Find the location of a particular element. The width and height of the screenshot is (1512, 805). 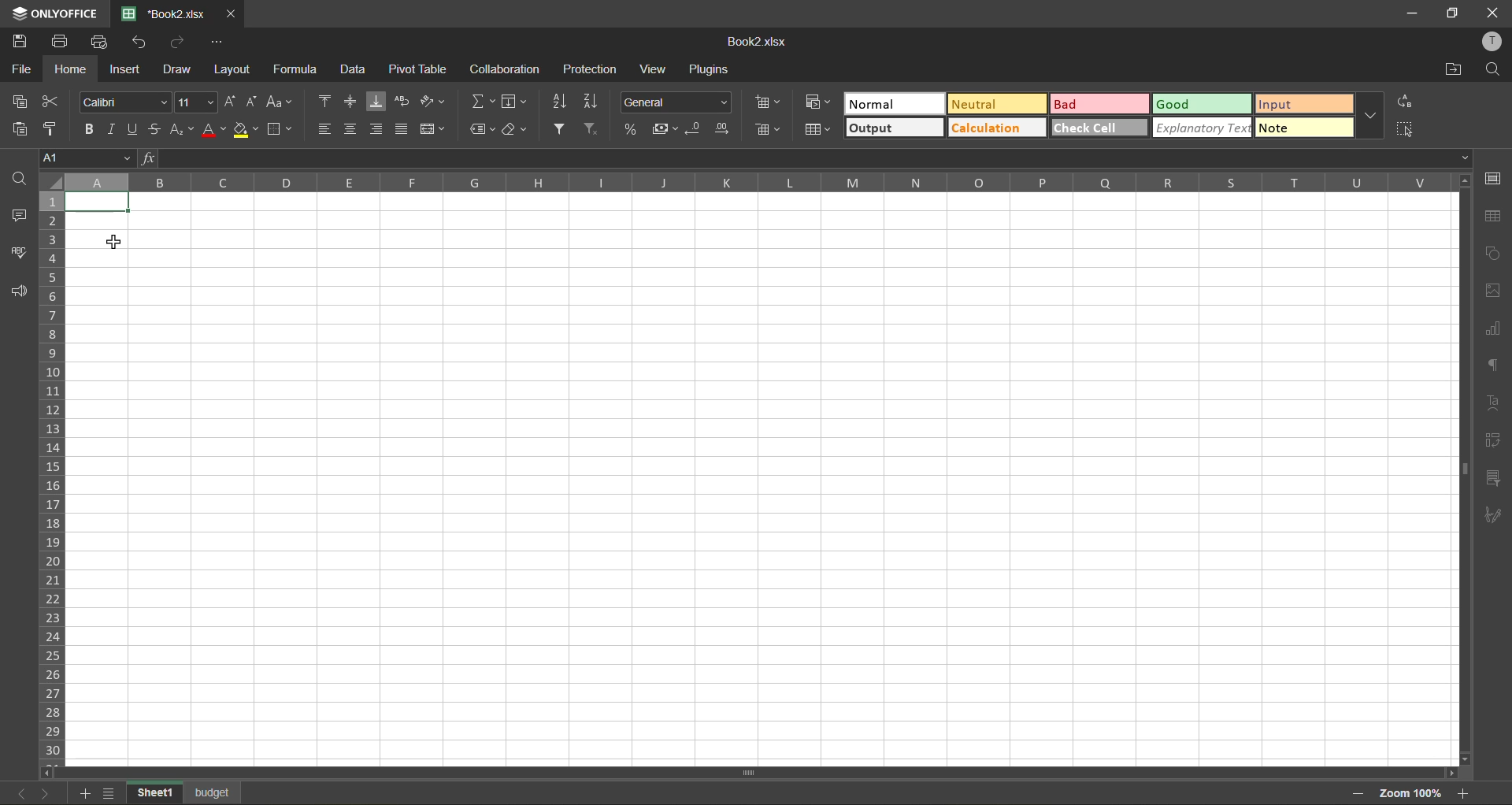

print is located at coordinates (57, 43).